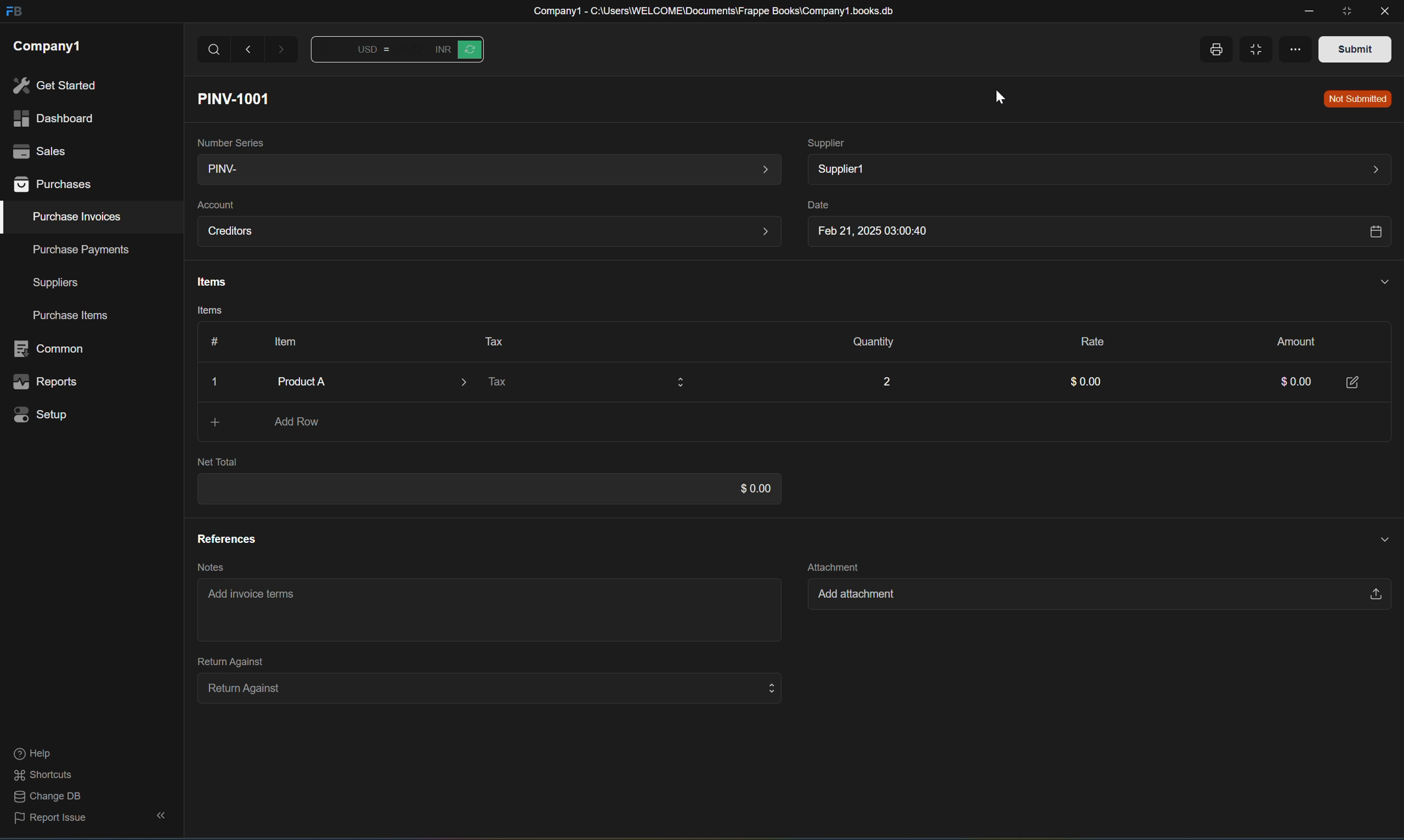 The width and height of the screenshot is (1404, 840). Describe the element at coordinates (1354, 381) in the screenshot. I see `Edit` at that location.